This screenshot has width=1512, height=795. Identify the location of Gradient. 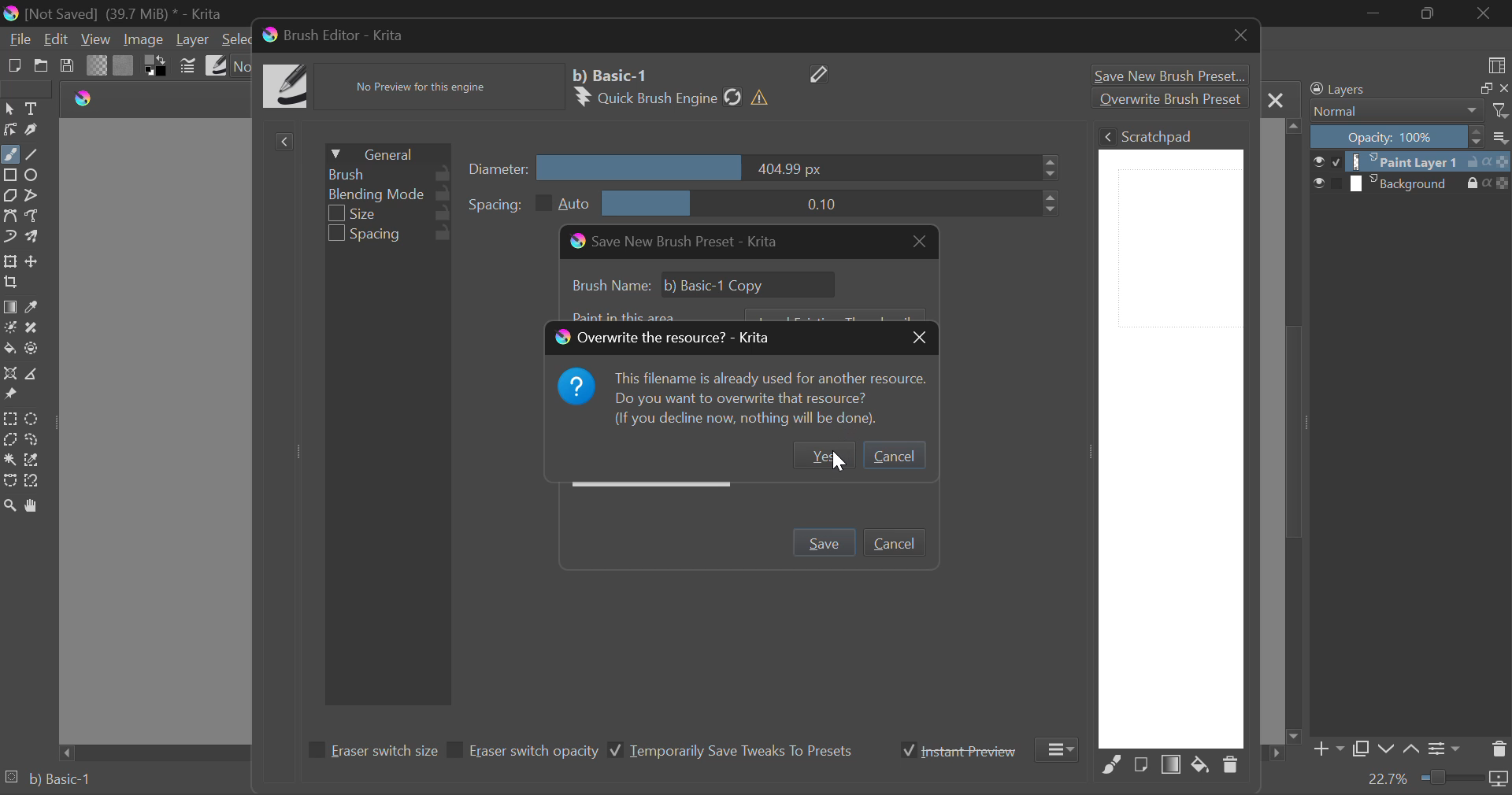
(98, 65).